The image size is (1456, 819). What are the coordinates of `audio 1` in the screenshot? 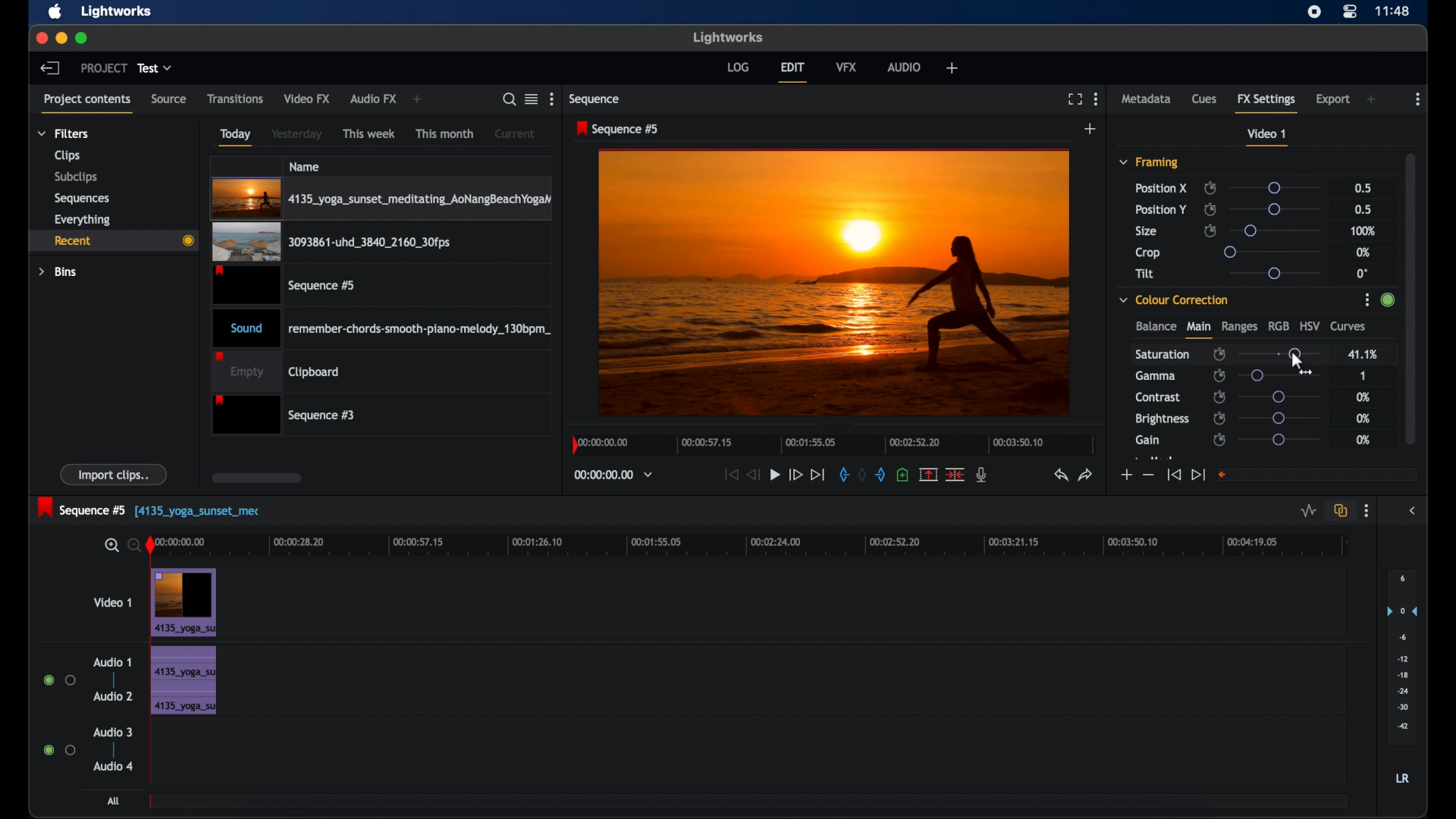 It's located at (112, 662).